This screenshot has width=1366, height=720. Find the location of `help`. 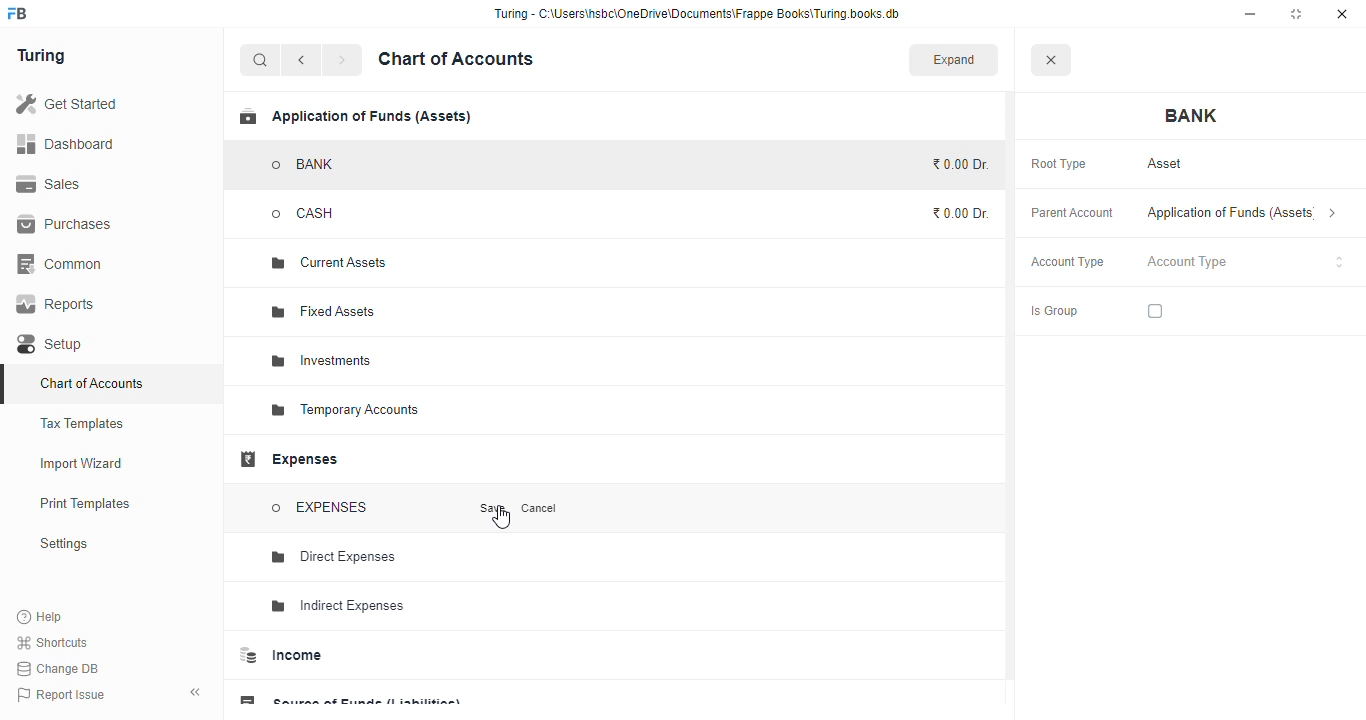

help is located at coordinates (40, 616).